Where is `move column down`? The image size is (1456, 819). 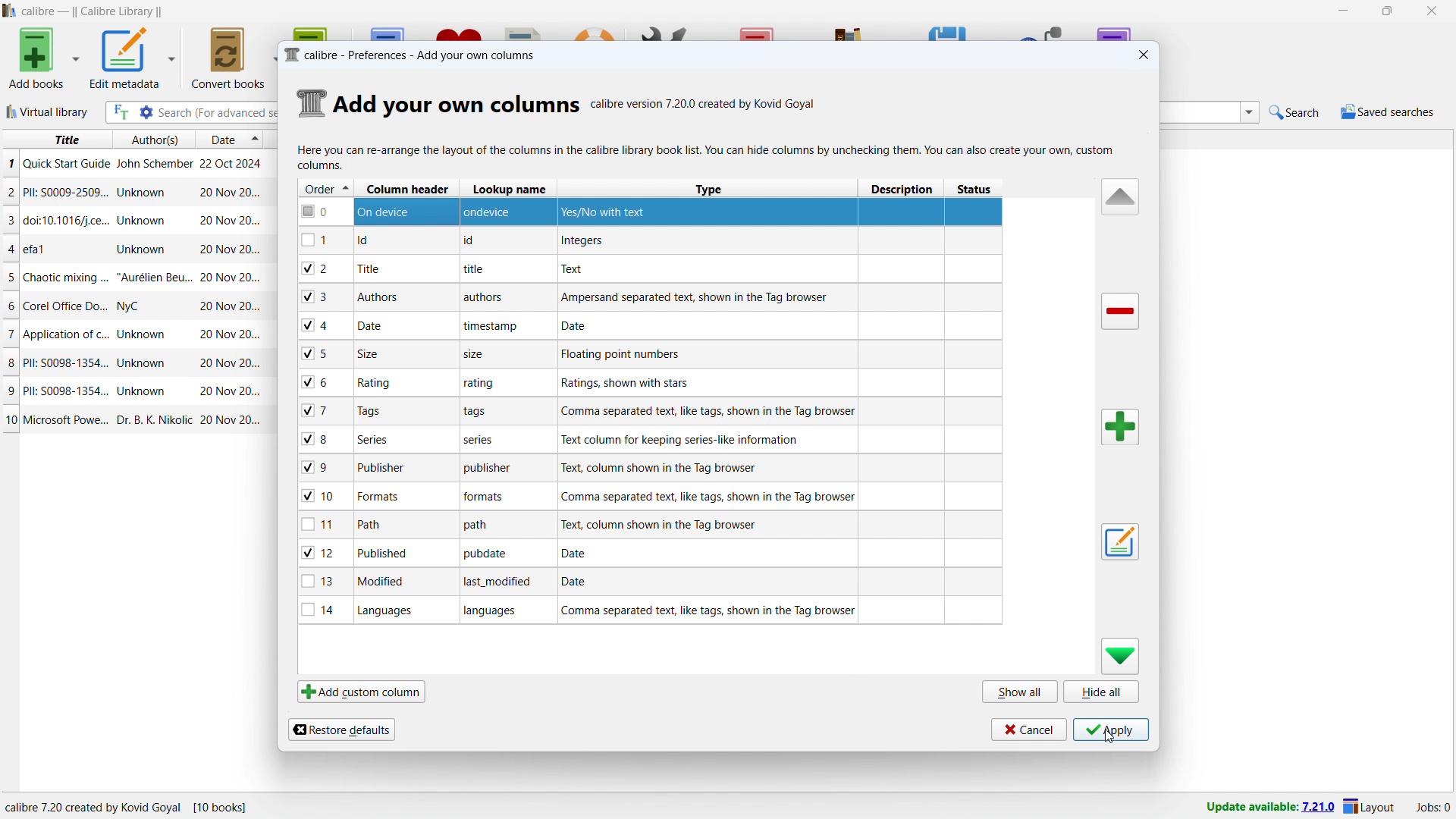
move column down is located at coordinates (1121, 657).